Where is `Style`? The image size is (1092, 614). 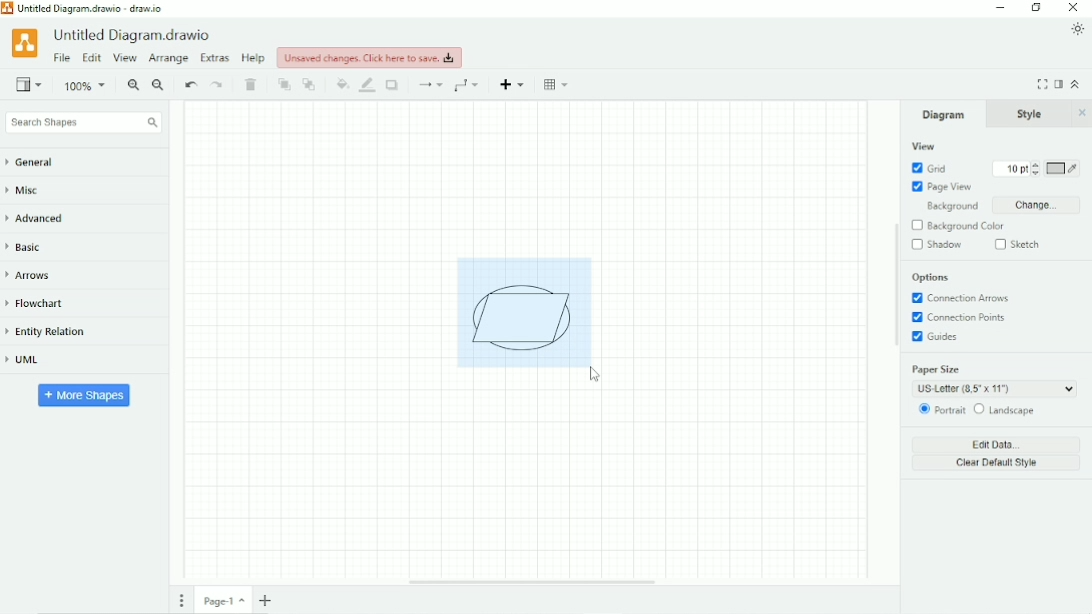 Style is located at coordinates (1032, 114).